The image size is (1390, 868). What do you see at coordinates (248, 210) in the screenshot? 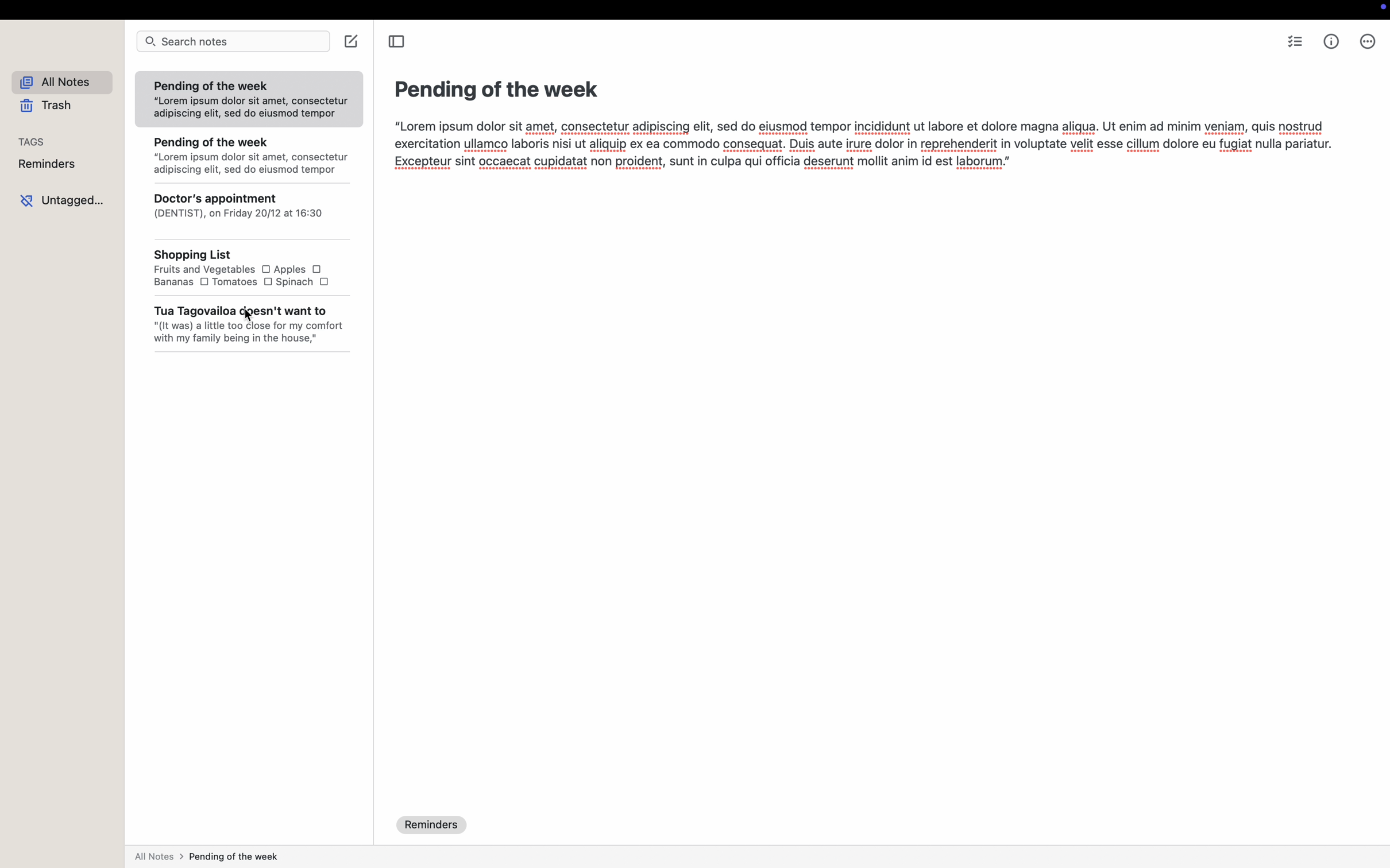
I see `Doctor's appointment
(DENTIST), on Friday 20/12 at 16:30` at bounding box center [248, 210].